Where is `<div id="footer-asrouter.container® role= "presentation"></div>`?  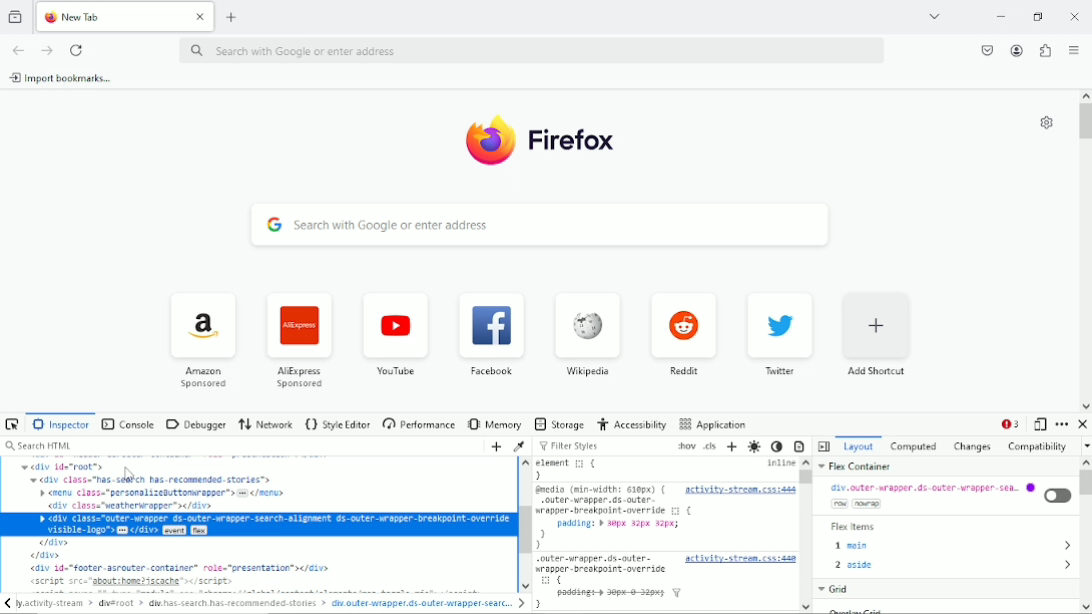
<div id="footer-asrouter.container® role= "presentation"></div> is located at coordinates (184, 568).